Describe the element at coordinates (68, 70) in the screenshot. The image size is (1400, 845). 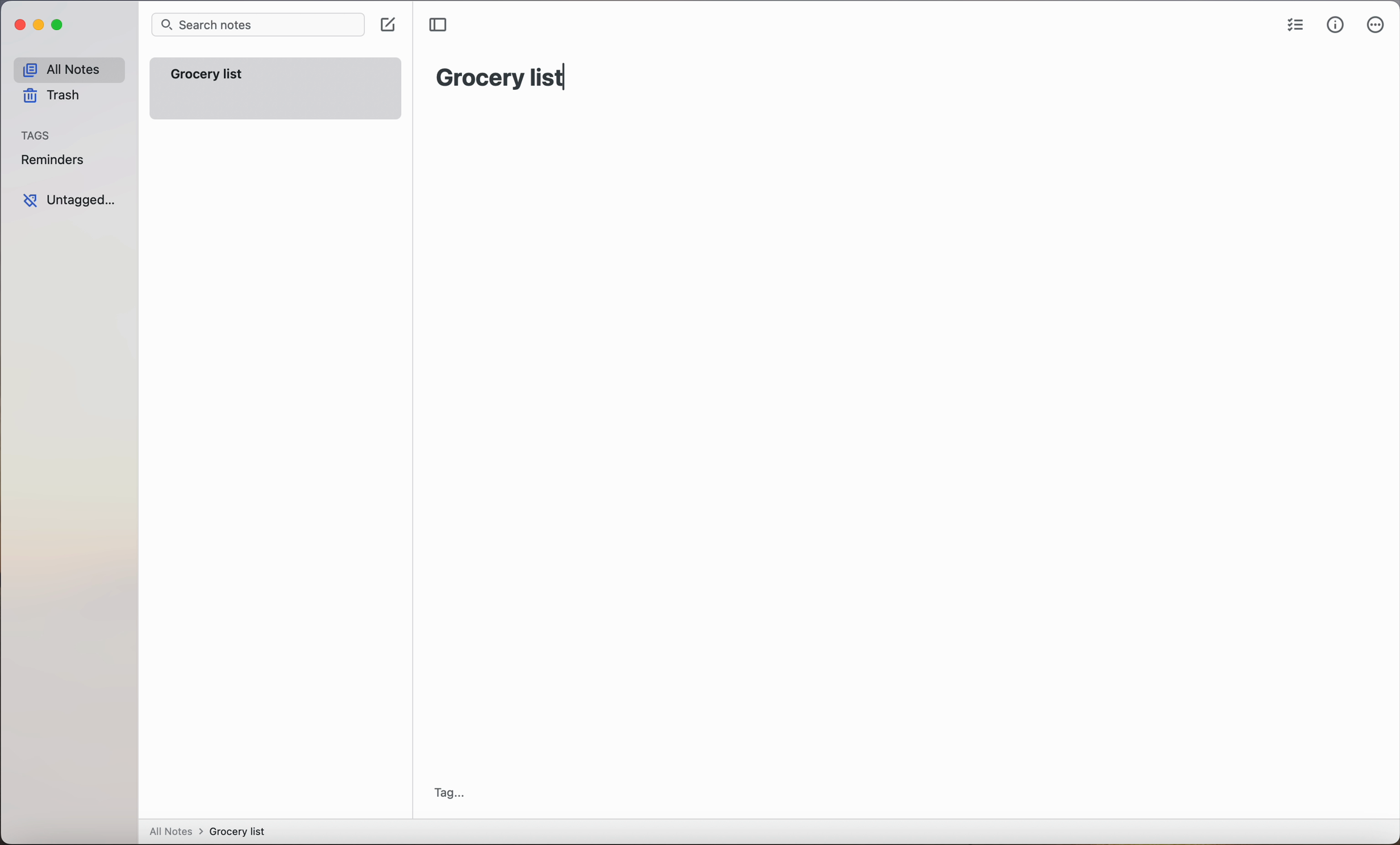
I see `all notes` at that location.